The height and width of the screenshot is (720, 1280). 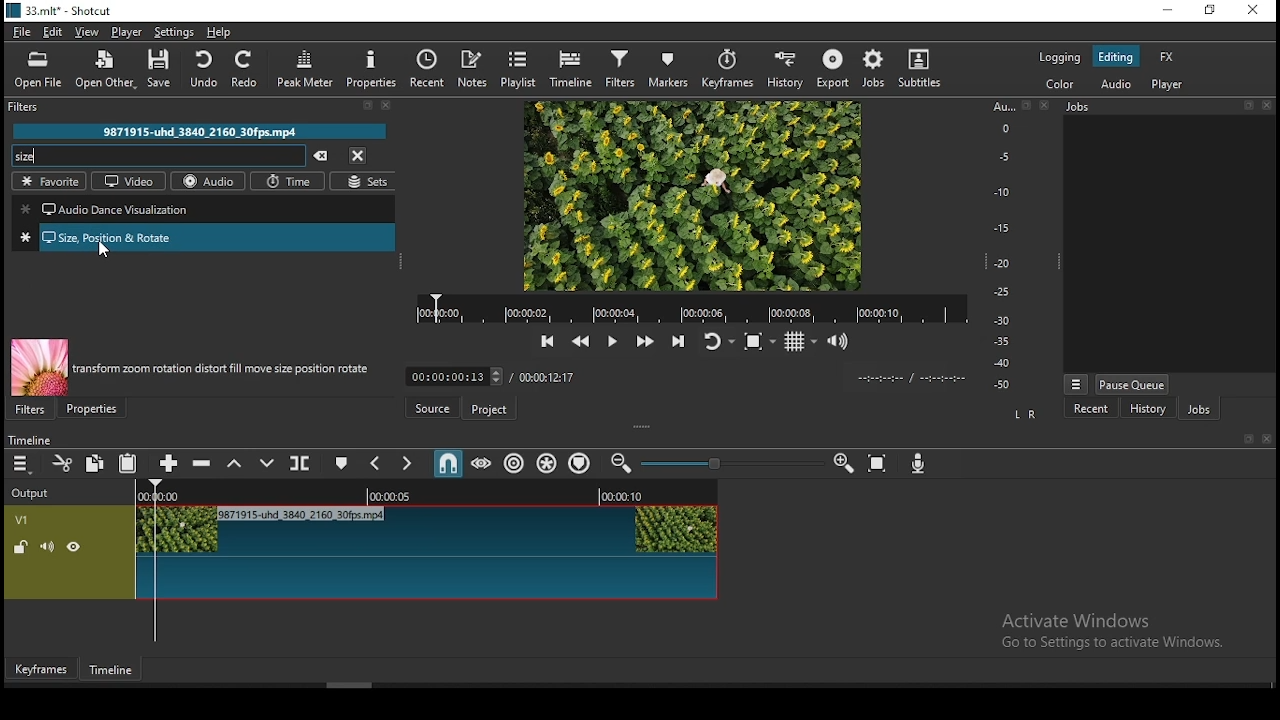 What do you see at coordinates (361, 155) in the screenshot?
I see `close menu` at bounding box center [361, 155].